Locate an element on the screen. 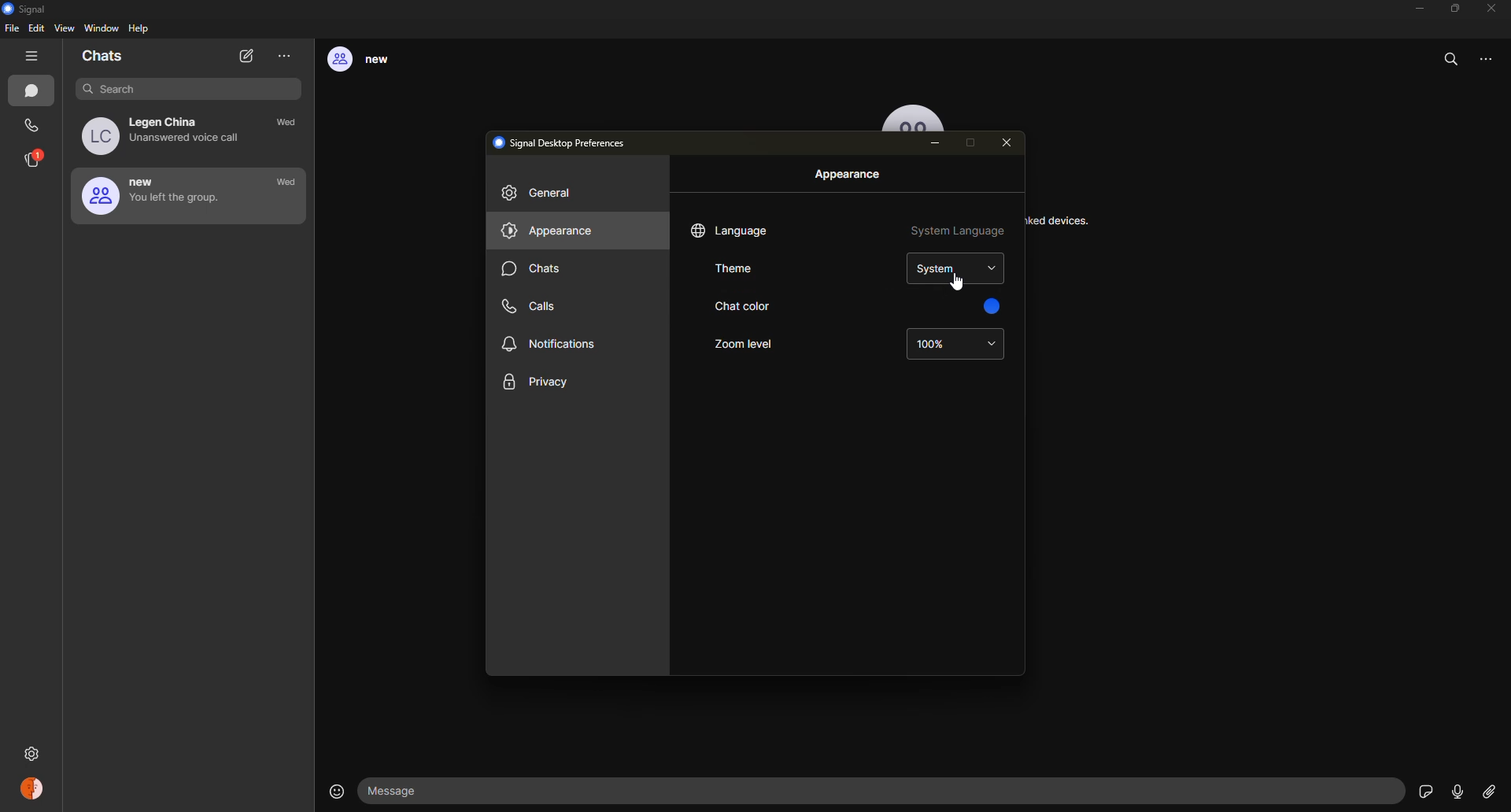 This screenshot has width=1511, height=812. signal desktop preferences is located at coordinates (565, 142).